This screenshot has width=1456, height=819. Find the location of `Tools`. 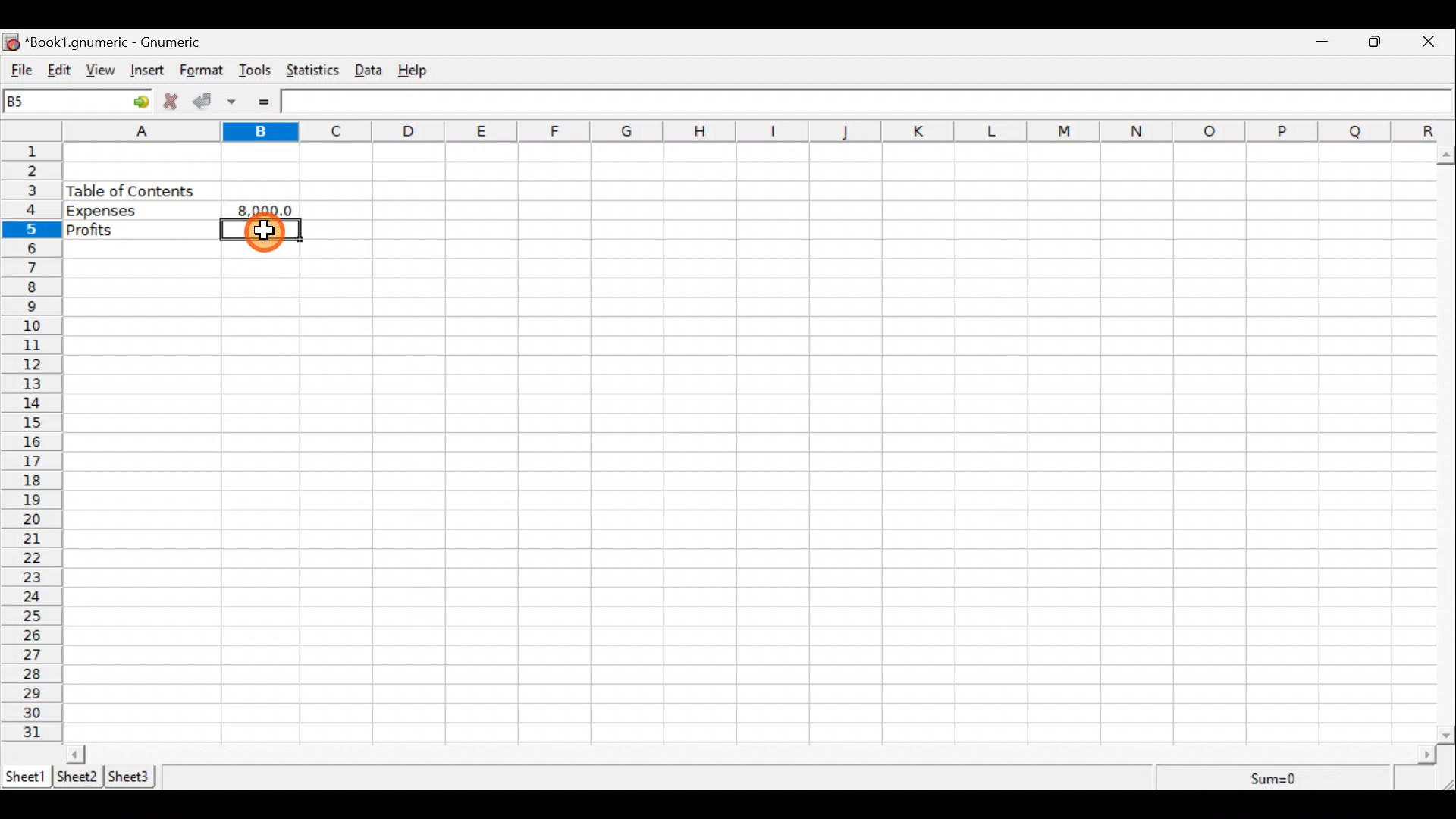

Tools is located at coordinates (256, 71).